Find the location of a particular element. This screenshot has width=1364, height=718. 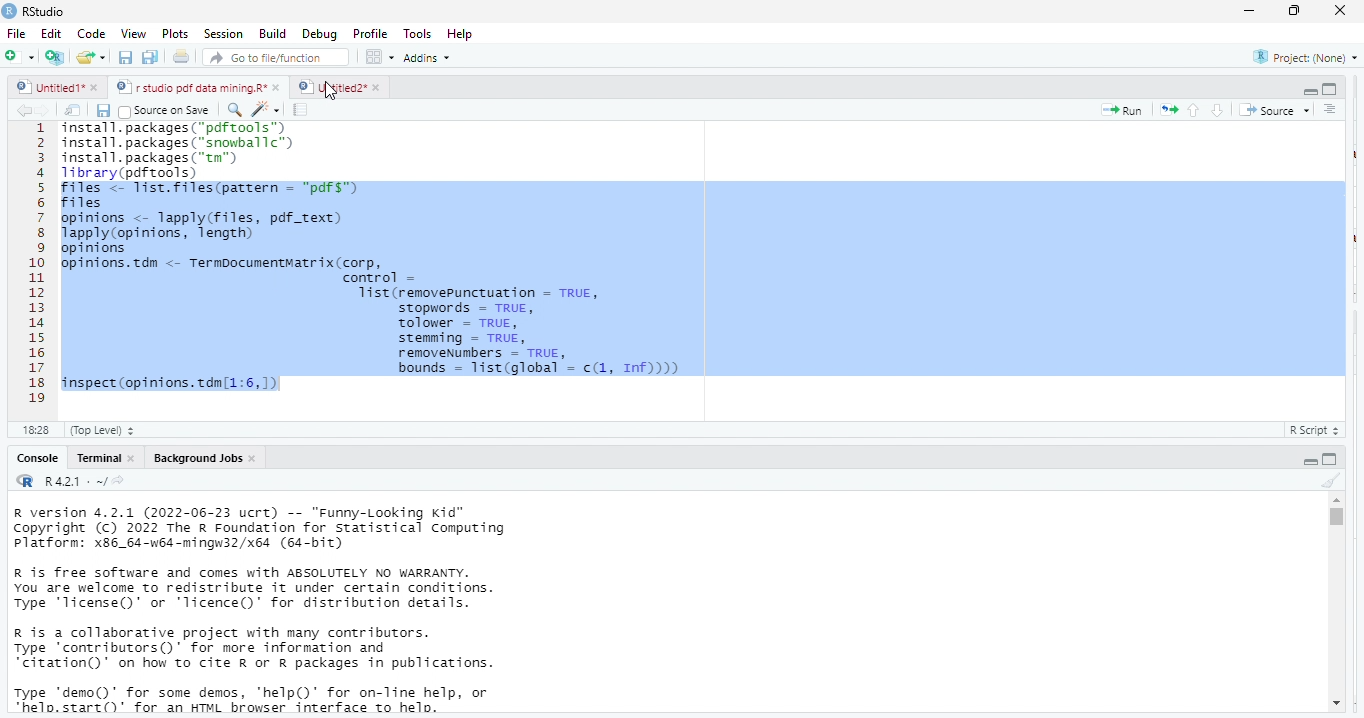

print the current file is located at coordinates (182, 58).